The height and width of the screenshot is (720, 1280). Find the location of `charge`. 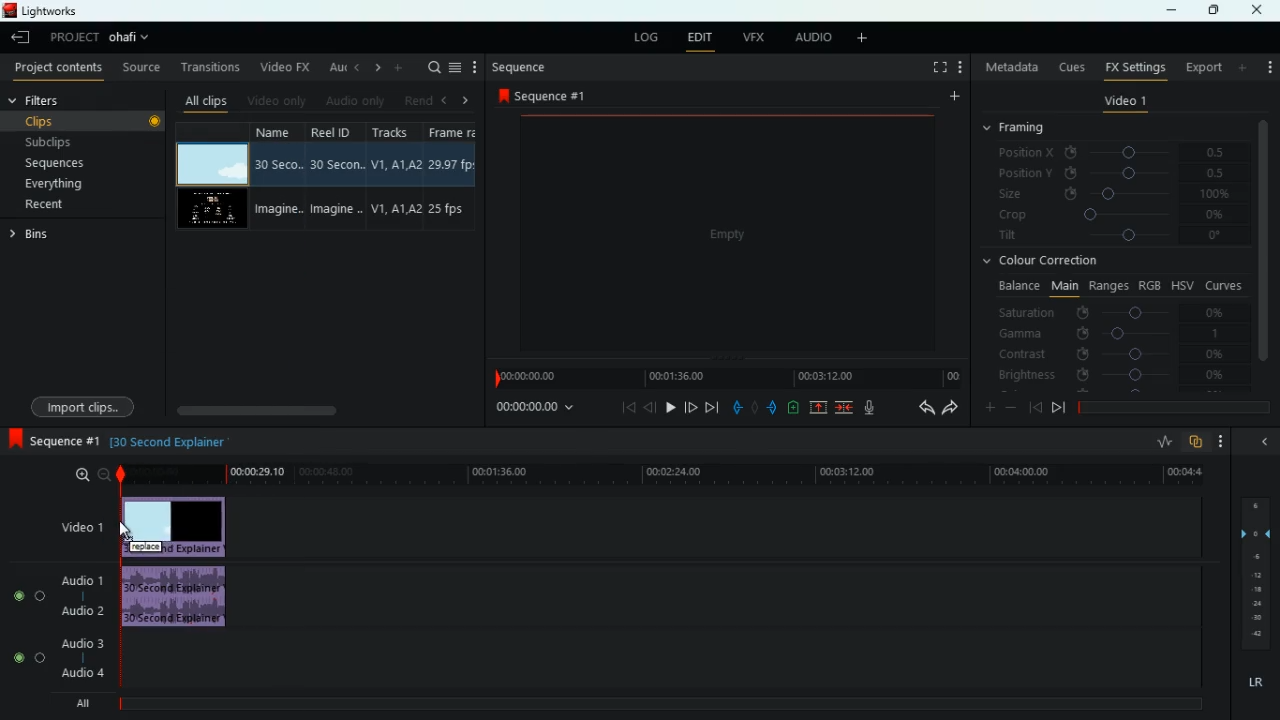

charge is located at coordinates (794, 407).